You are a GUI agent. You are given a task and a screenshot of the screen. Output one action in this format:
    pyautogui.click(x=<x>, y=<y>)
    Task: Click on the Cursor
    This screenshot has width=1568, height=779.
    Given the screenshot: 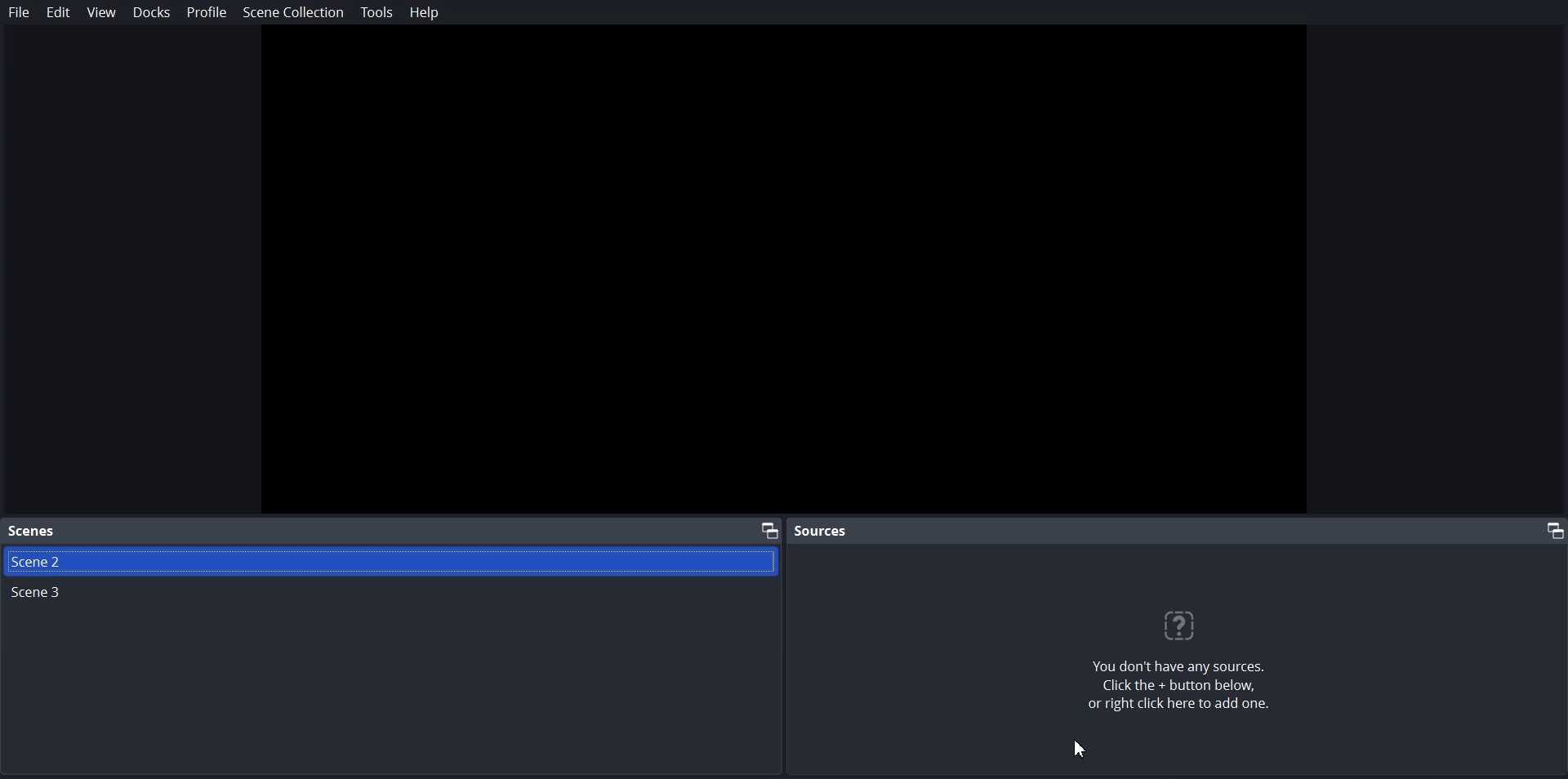 What is the action you would take?
    pyautogui.click(x=1081, y=747)
    